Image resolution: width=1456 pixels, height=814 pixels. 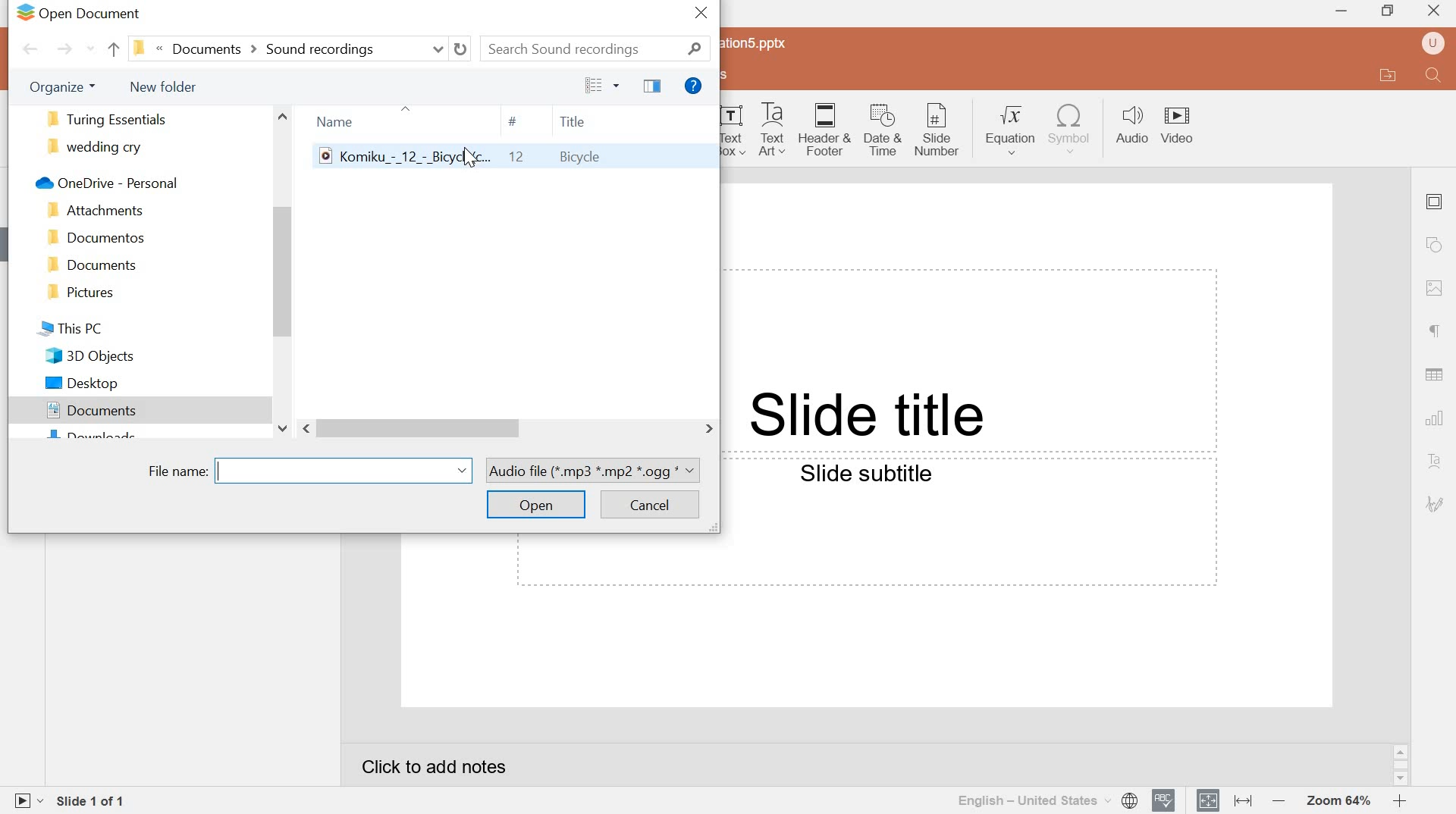 I want to click on wedding cry folder, so click(x=94, y=150).